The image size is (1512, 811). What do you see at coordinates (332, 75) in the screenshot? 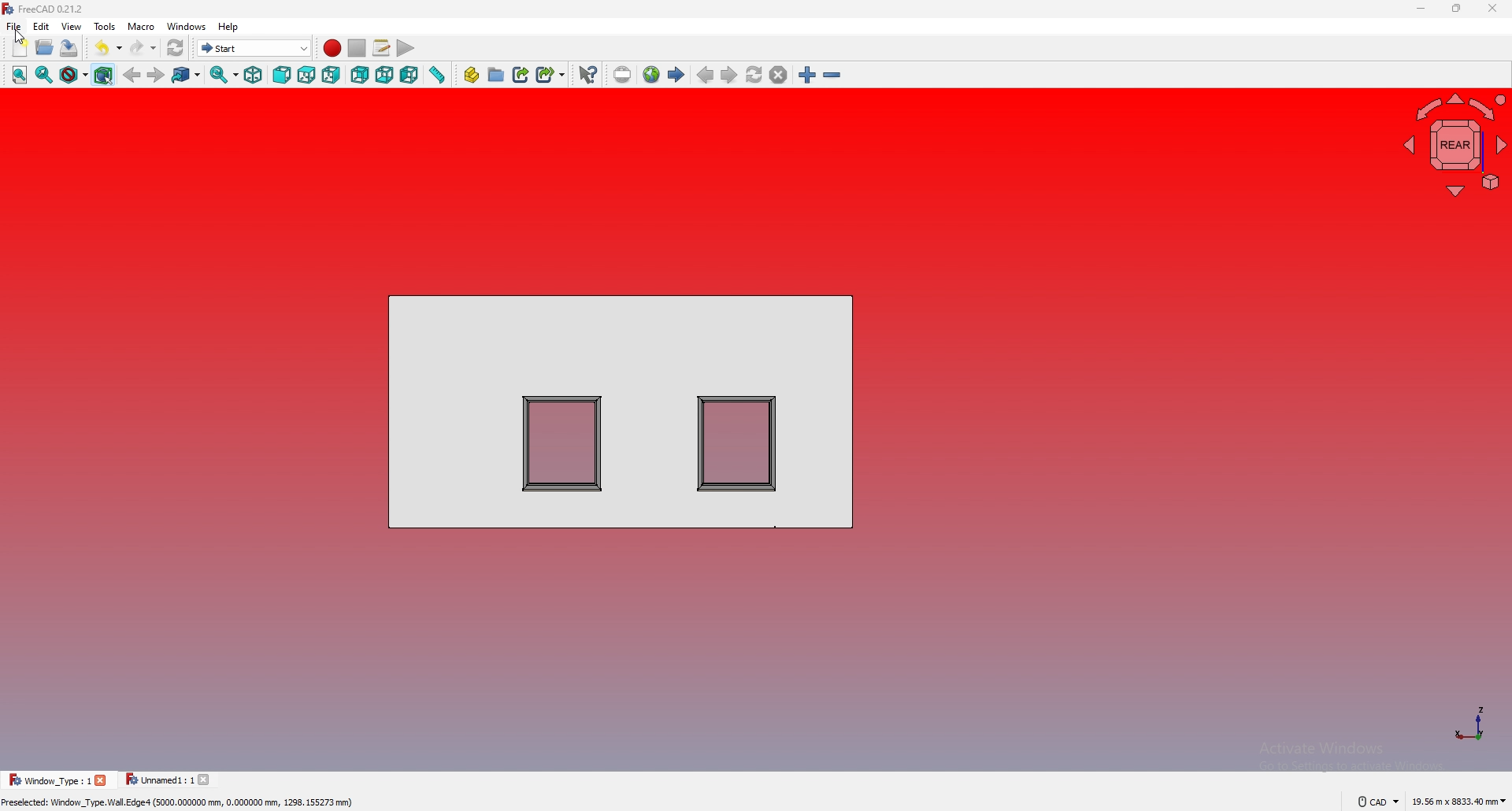
I see `right` at bounding box center [332, 75].